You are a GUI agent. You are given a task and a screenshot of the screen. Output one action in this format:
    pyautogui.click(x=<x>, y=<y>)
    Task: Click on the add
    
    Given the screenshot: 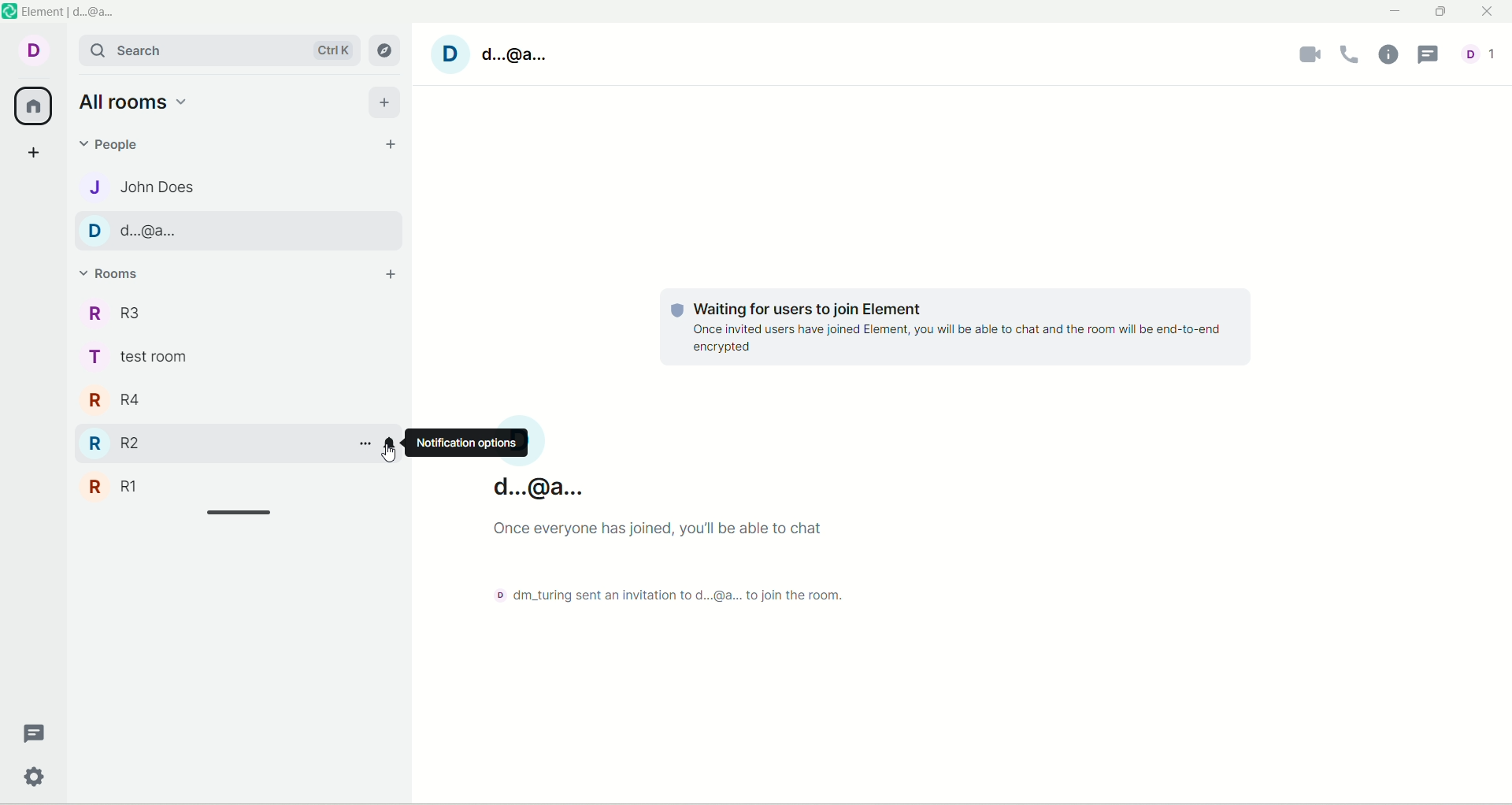 What is the action you would take?
    pyautogui.click(x=398, y=273)
    